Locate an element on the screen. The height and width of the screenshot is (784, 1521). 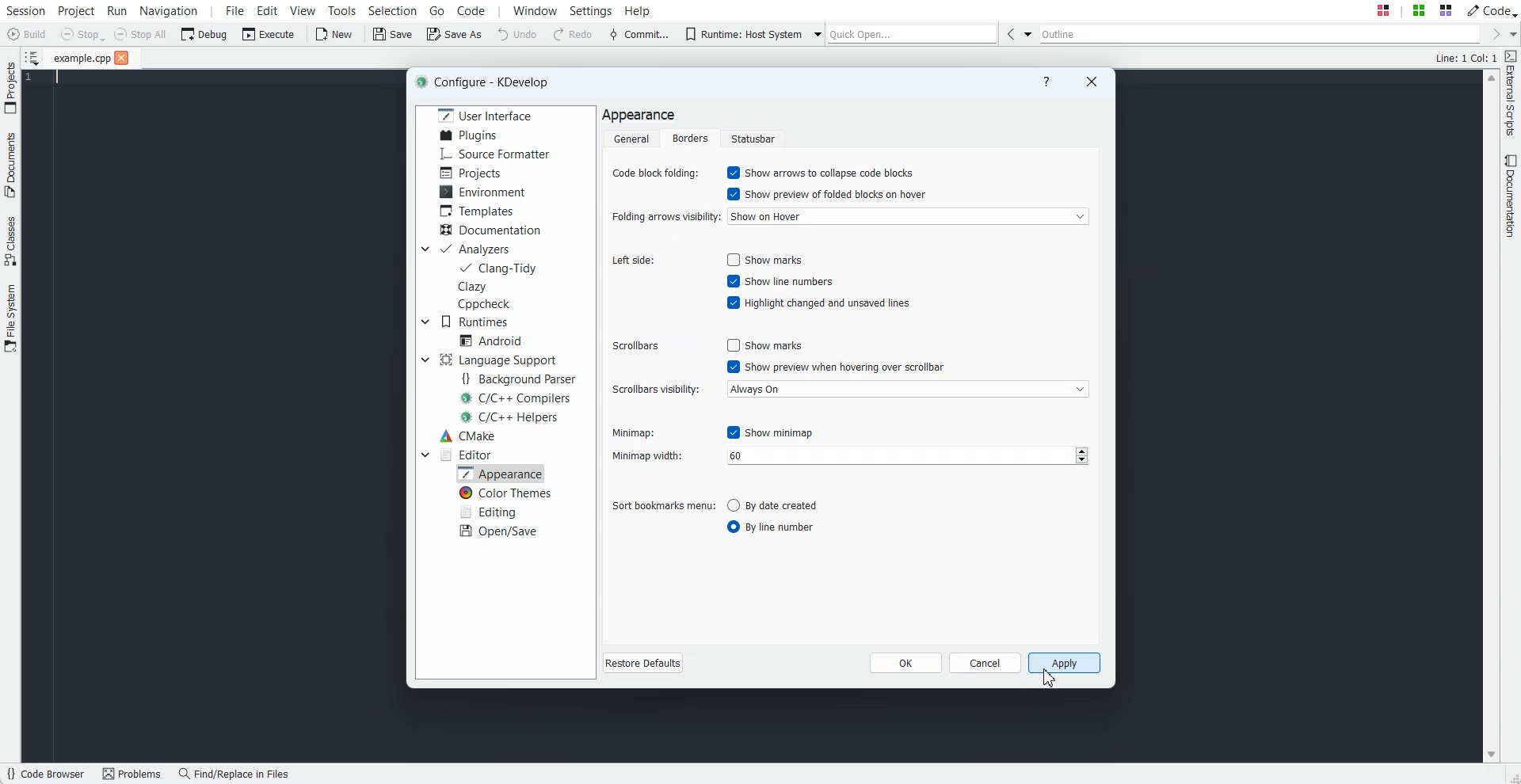
Color Themes is located at coordinates (503, 493).